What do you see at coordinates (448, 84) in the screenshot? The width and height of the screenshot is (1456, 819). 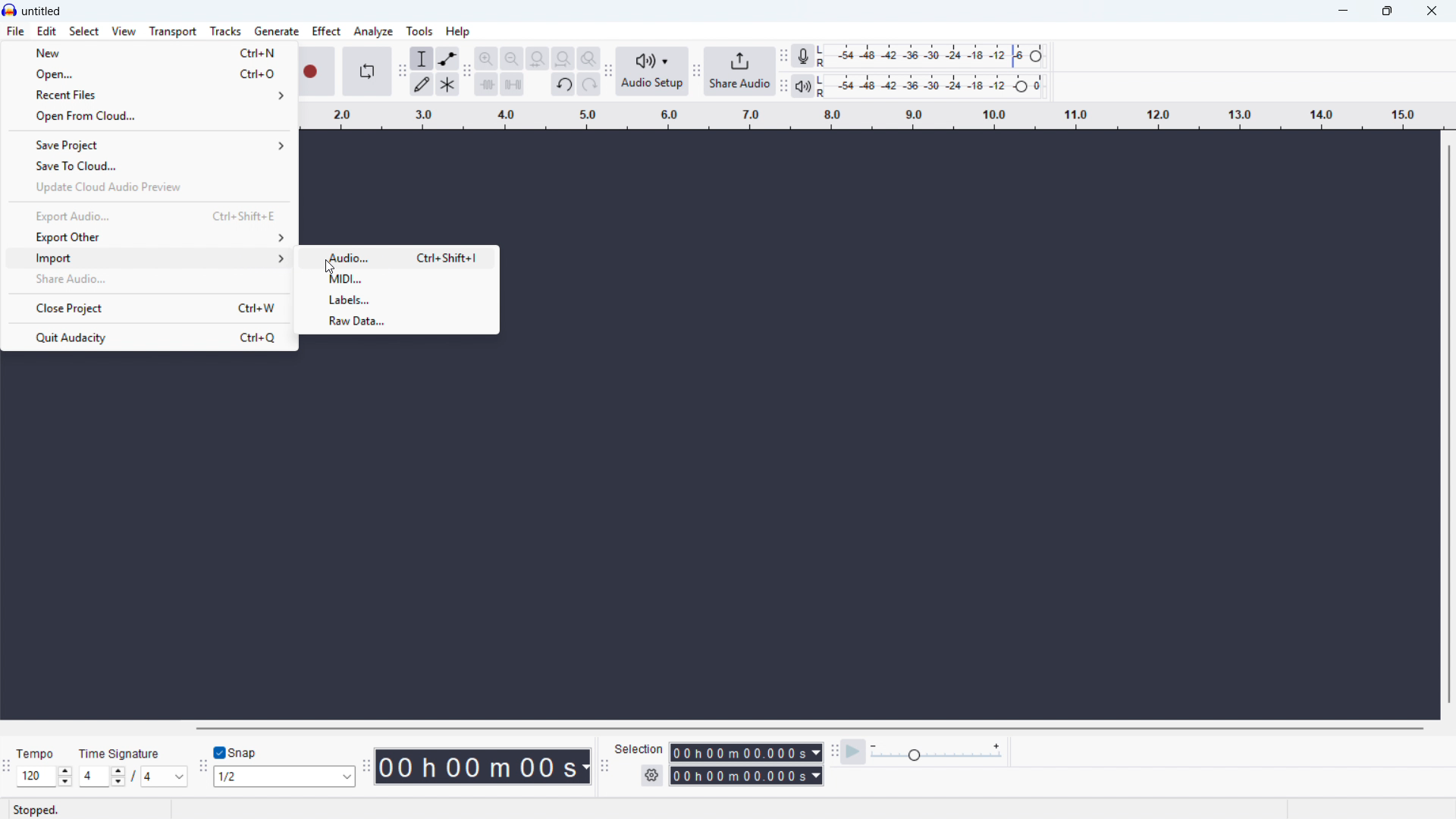 I see `Multi - tool ` at bounding box center [448, 84].